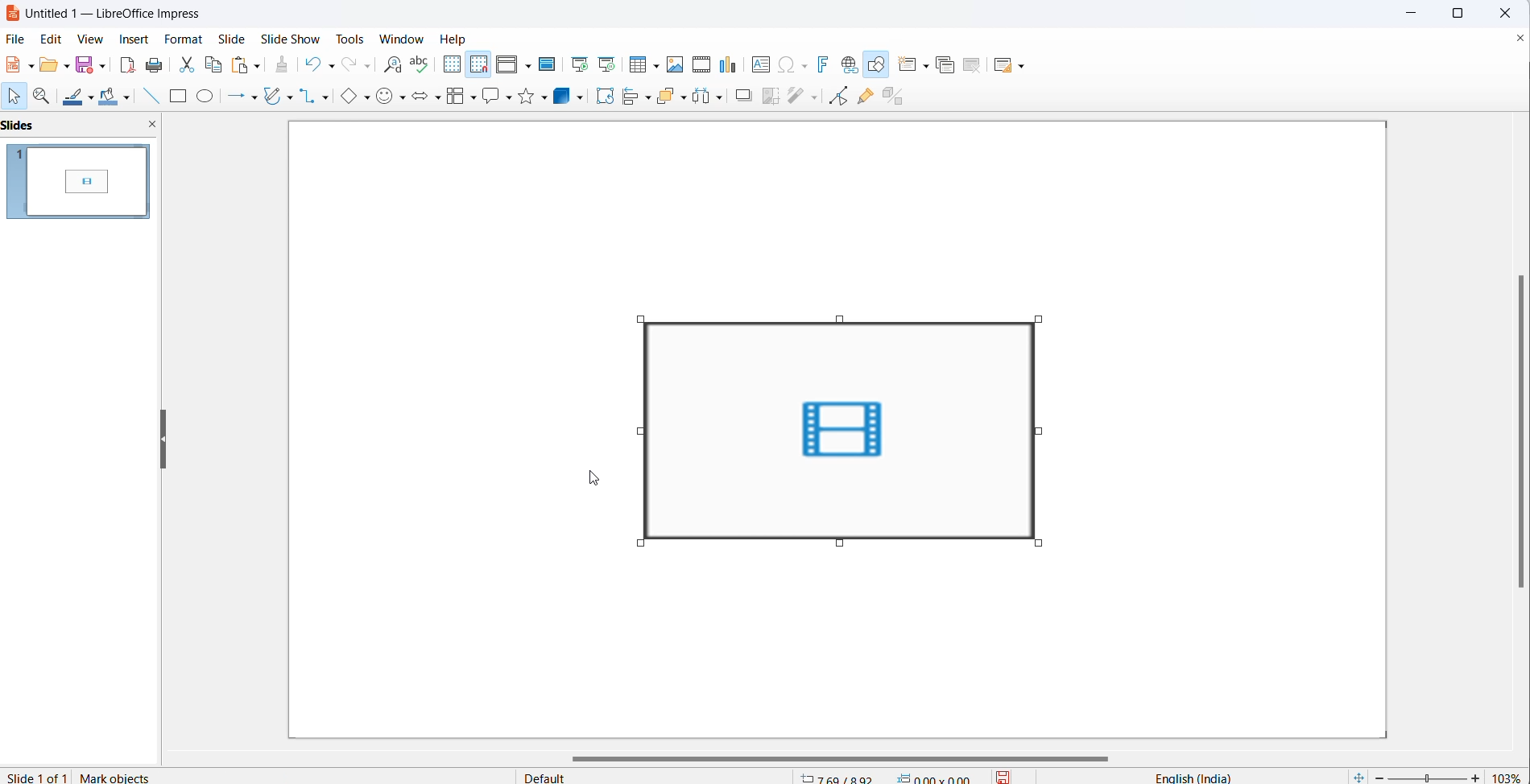 Image resolution: width=1530 pixels, height=784 pixels. Describe the element at coordinates (65, 66) in the screenshot. I see `open options` at that location.